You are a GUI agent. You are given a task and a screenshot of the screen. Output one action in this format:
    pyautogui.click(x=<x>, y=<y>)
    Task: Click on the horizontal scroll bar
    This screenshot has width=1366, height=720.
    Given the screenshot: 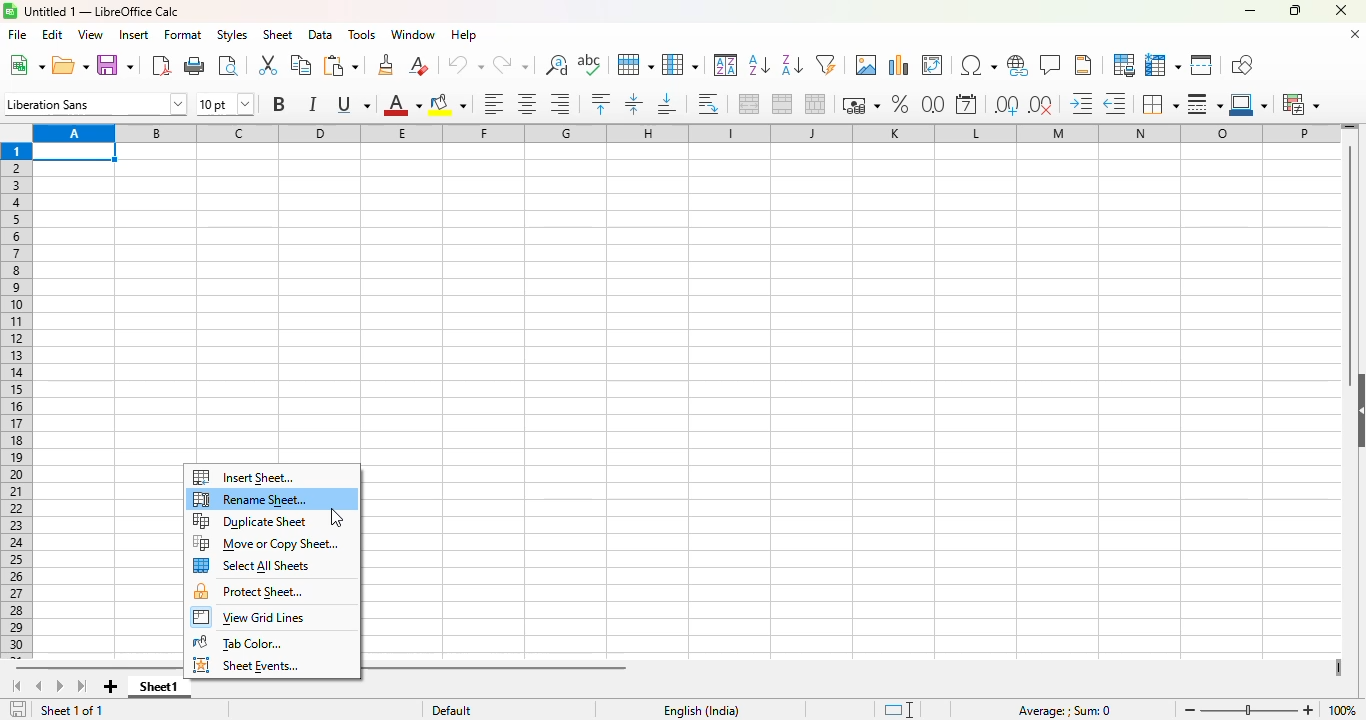 What is the action you would take?
    pyautogui.click(x=496, y=668)
    